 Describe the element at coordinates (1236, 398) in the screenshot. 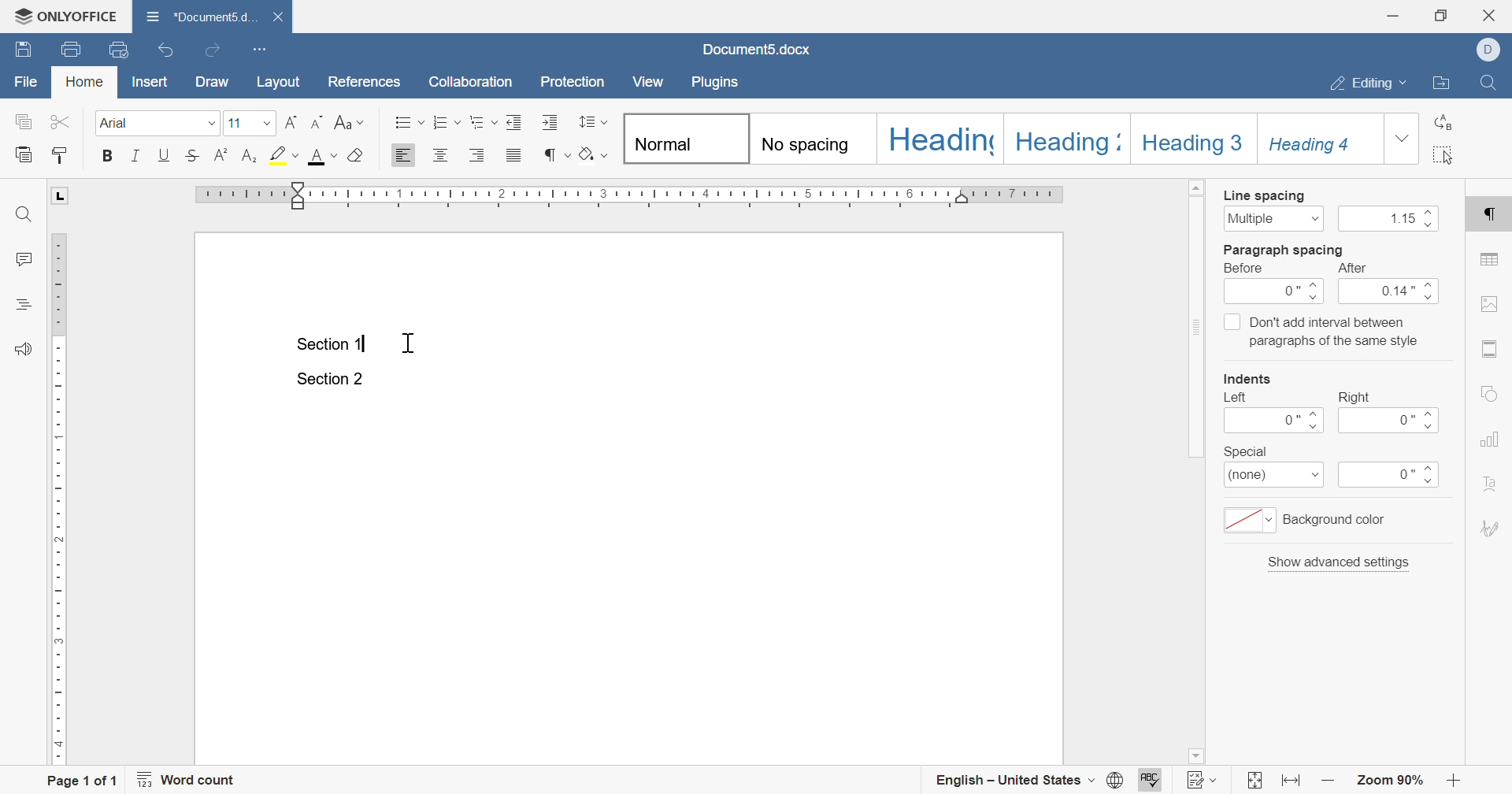

I see `left` at that location.